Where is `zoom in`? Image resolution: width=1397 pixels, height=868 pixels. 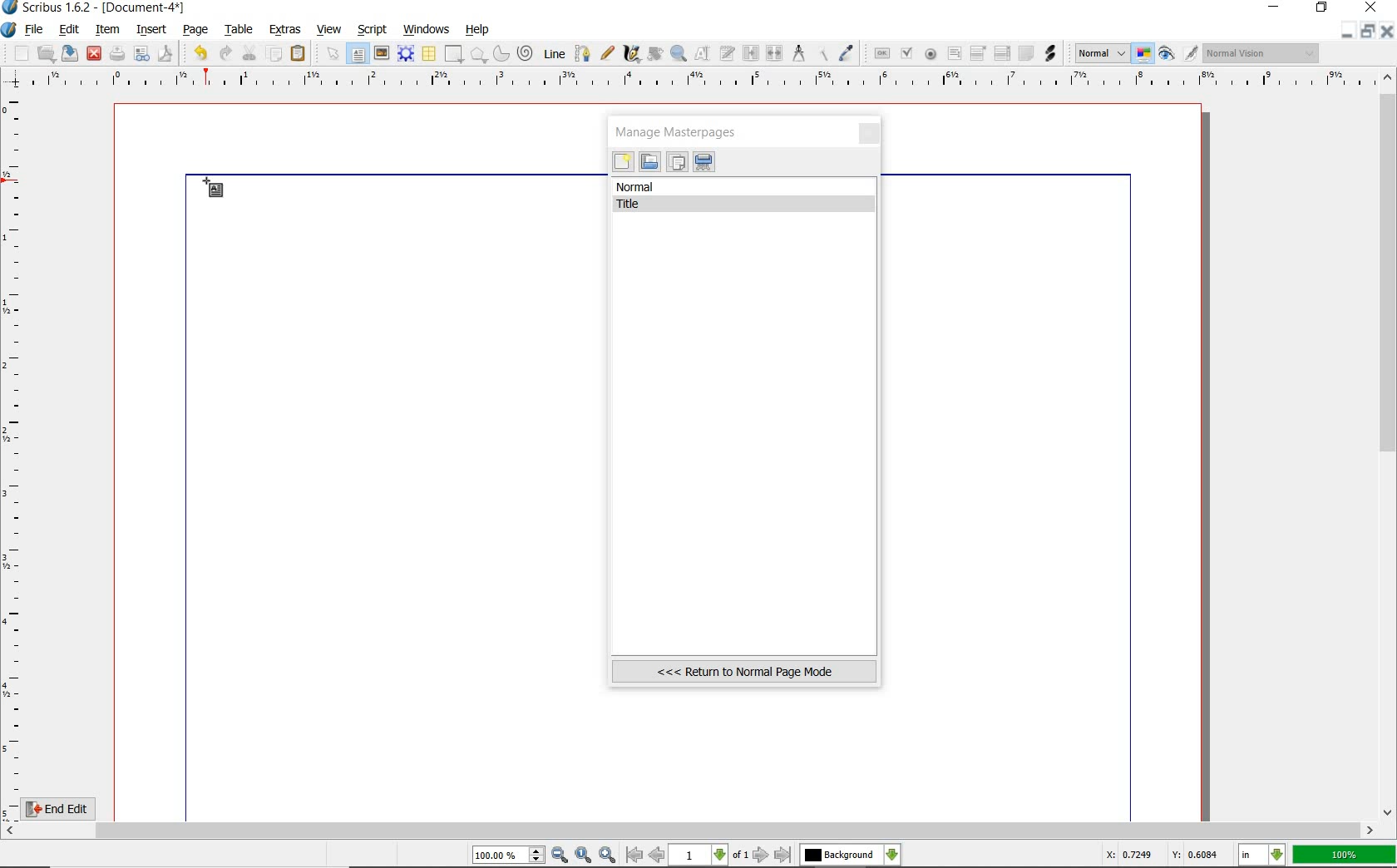
zoom in is located at coordinates (607, 854).